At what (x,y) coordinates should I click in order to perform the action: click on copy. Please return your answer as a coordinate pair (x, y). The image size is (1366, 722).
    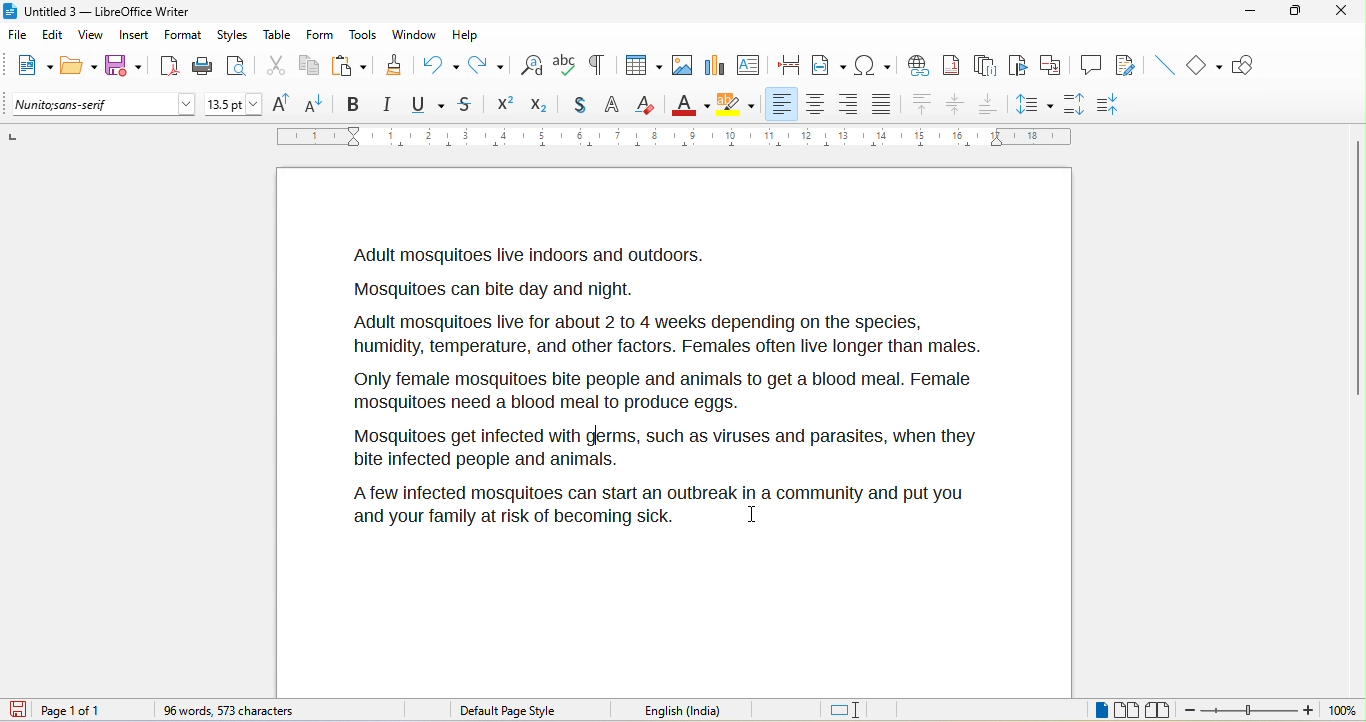
    Looking at the image, I should click on (309, 65).